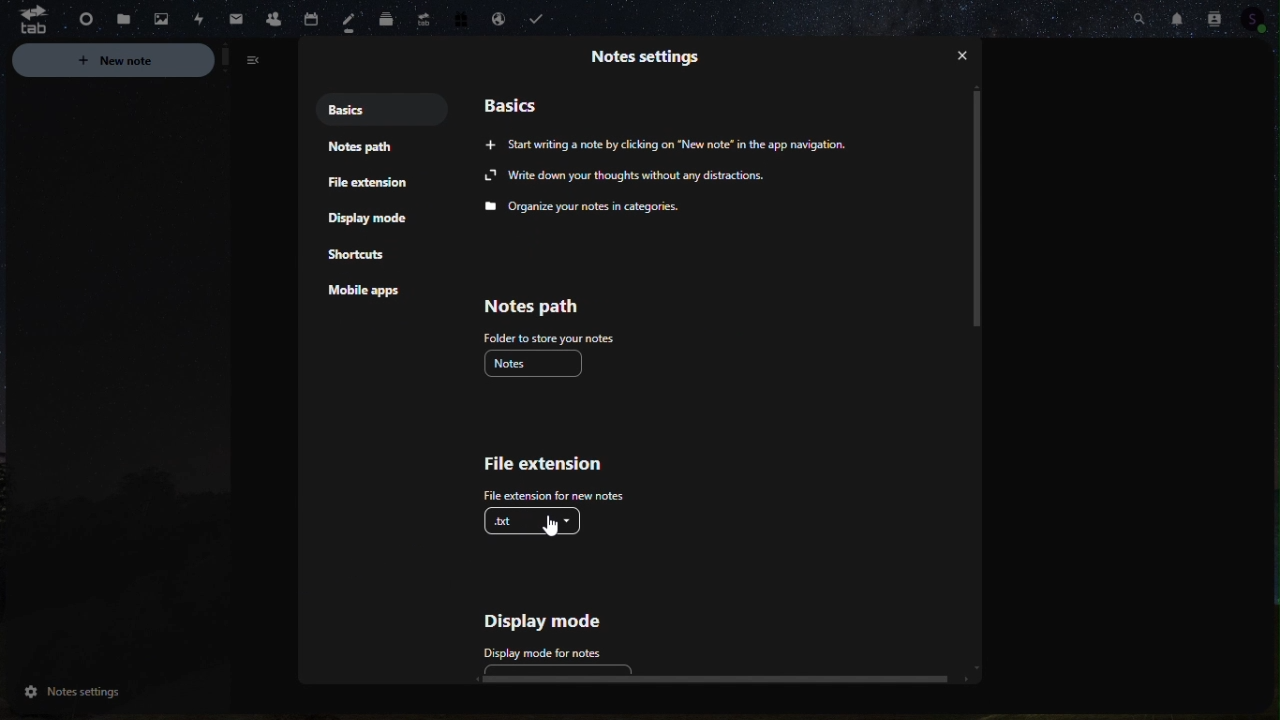 The width and height of the screenshot is (1280, 720). Describe the element at coordinates (377, 296) in the screenshot. I see `mobile apps` at that location.